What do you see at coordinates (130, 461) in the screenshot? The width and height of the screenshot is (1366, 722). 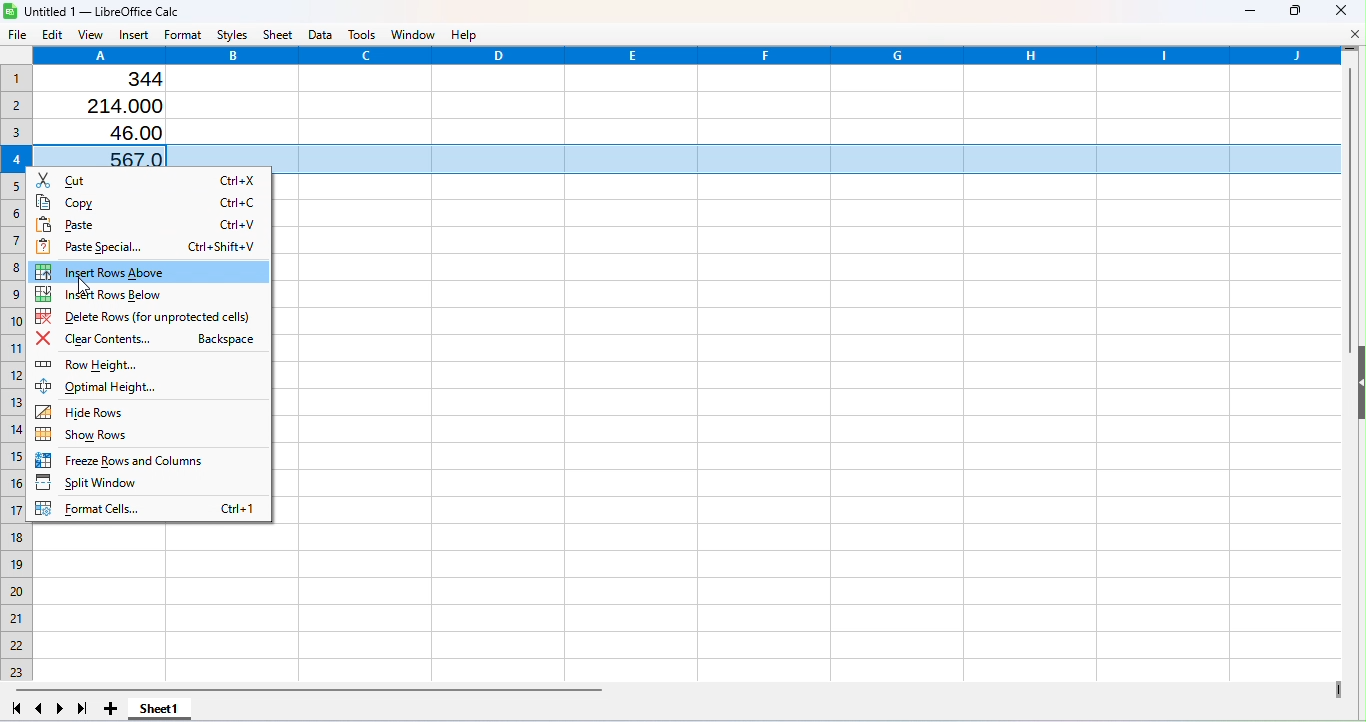 I see `Freeze Rows and Columns` at bounding box center [130, 461].